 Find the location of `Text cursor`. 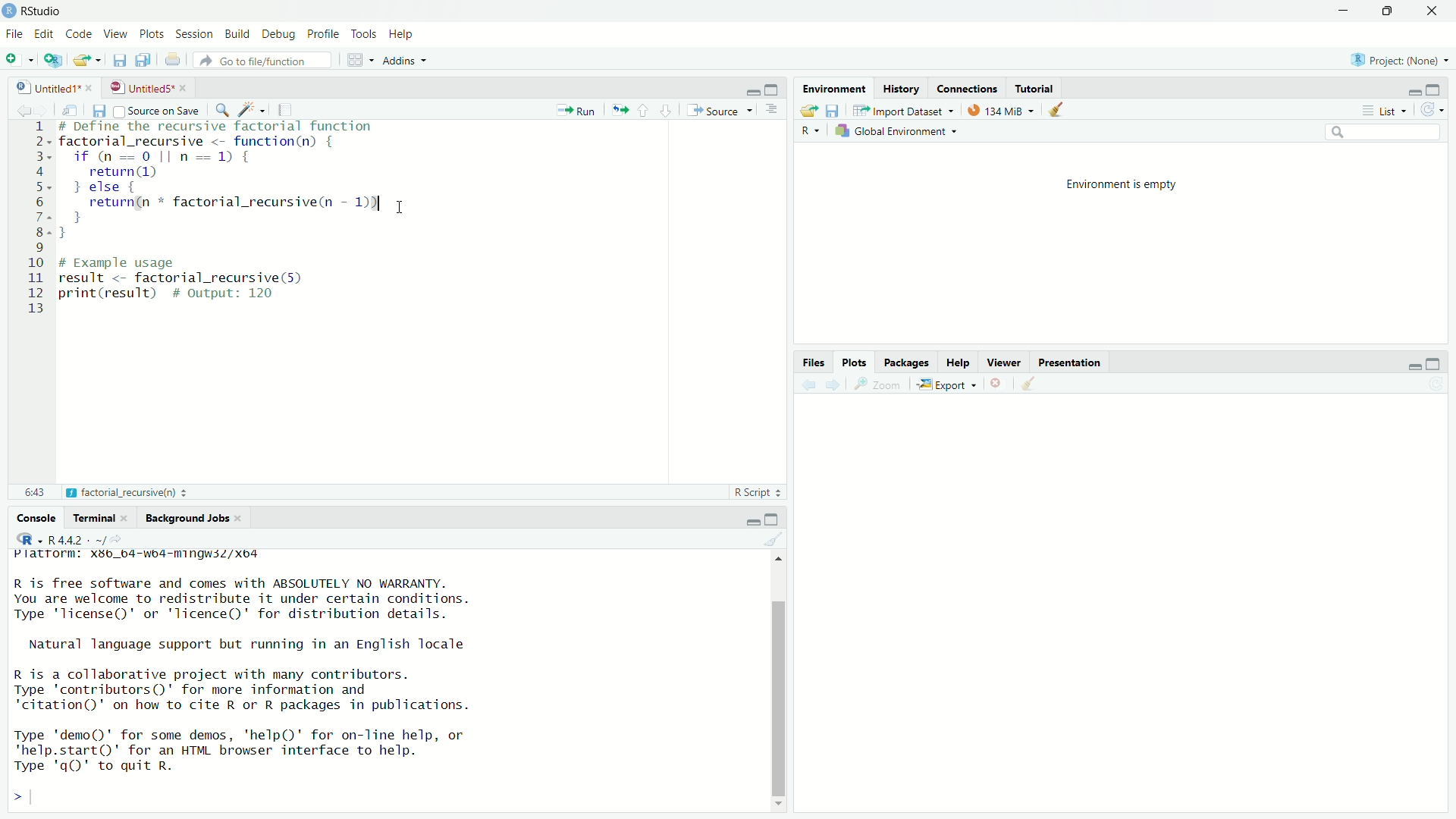

Text cursor is located at coordinates (402, 209).